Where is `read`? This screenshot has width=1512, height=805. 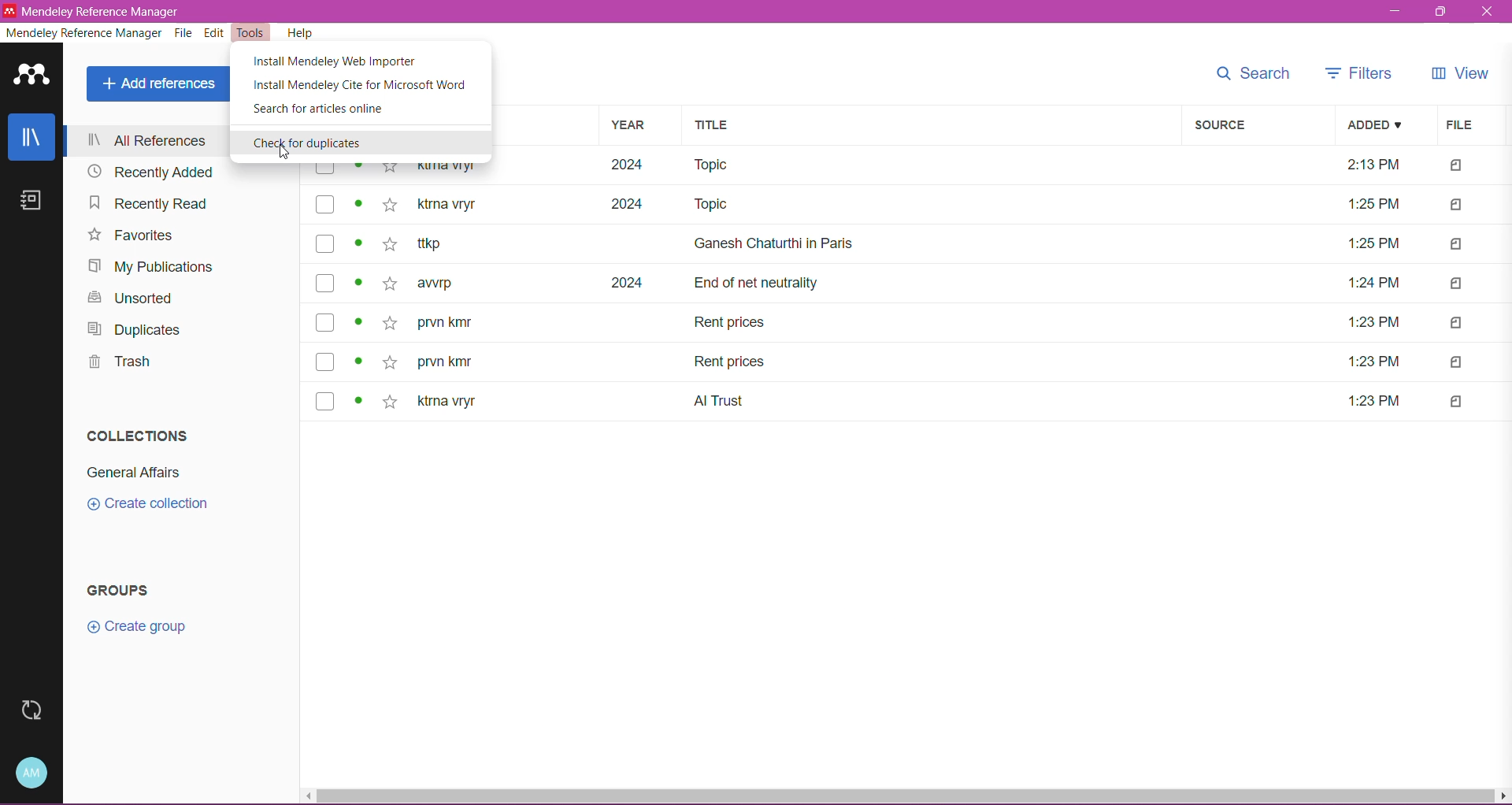
read is located at coordinates (358, 283).